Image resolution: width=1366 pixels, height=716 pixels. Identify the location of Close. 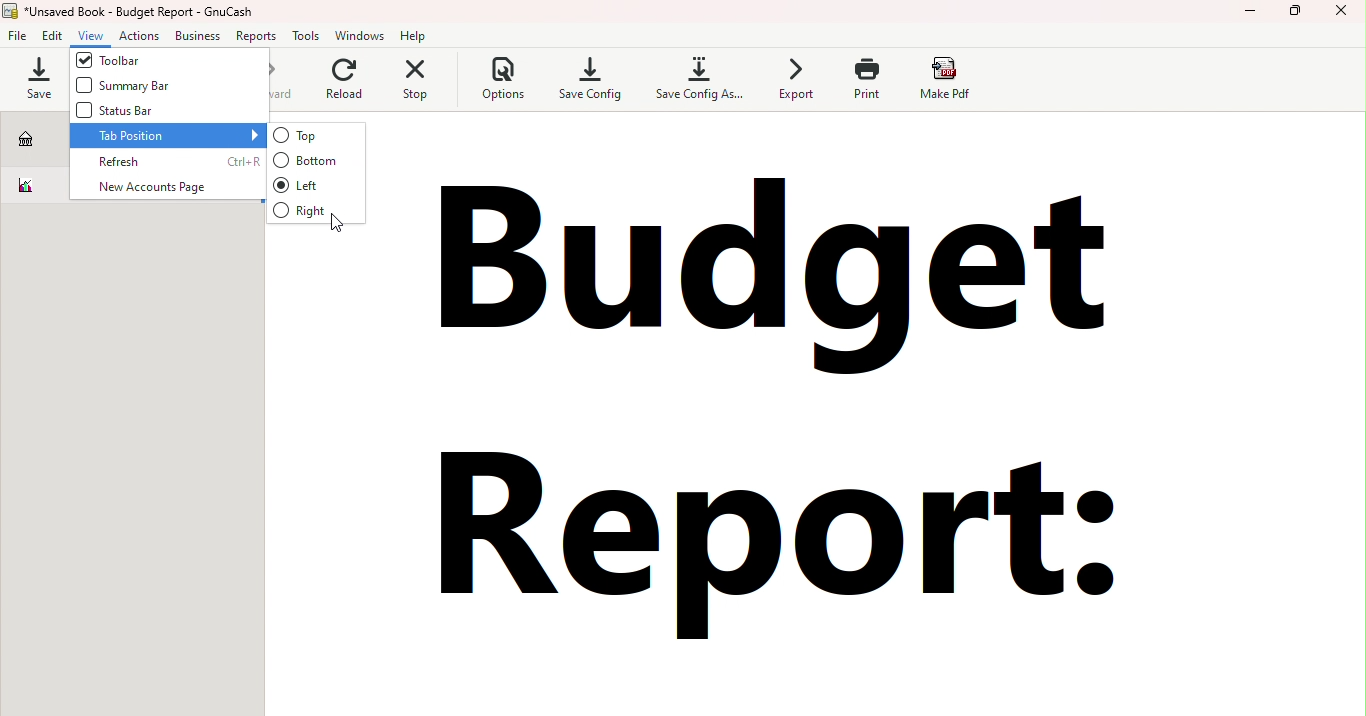
(1341, 13).